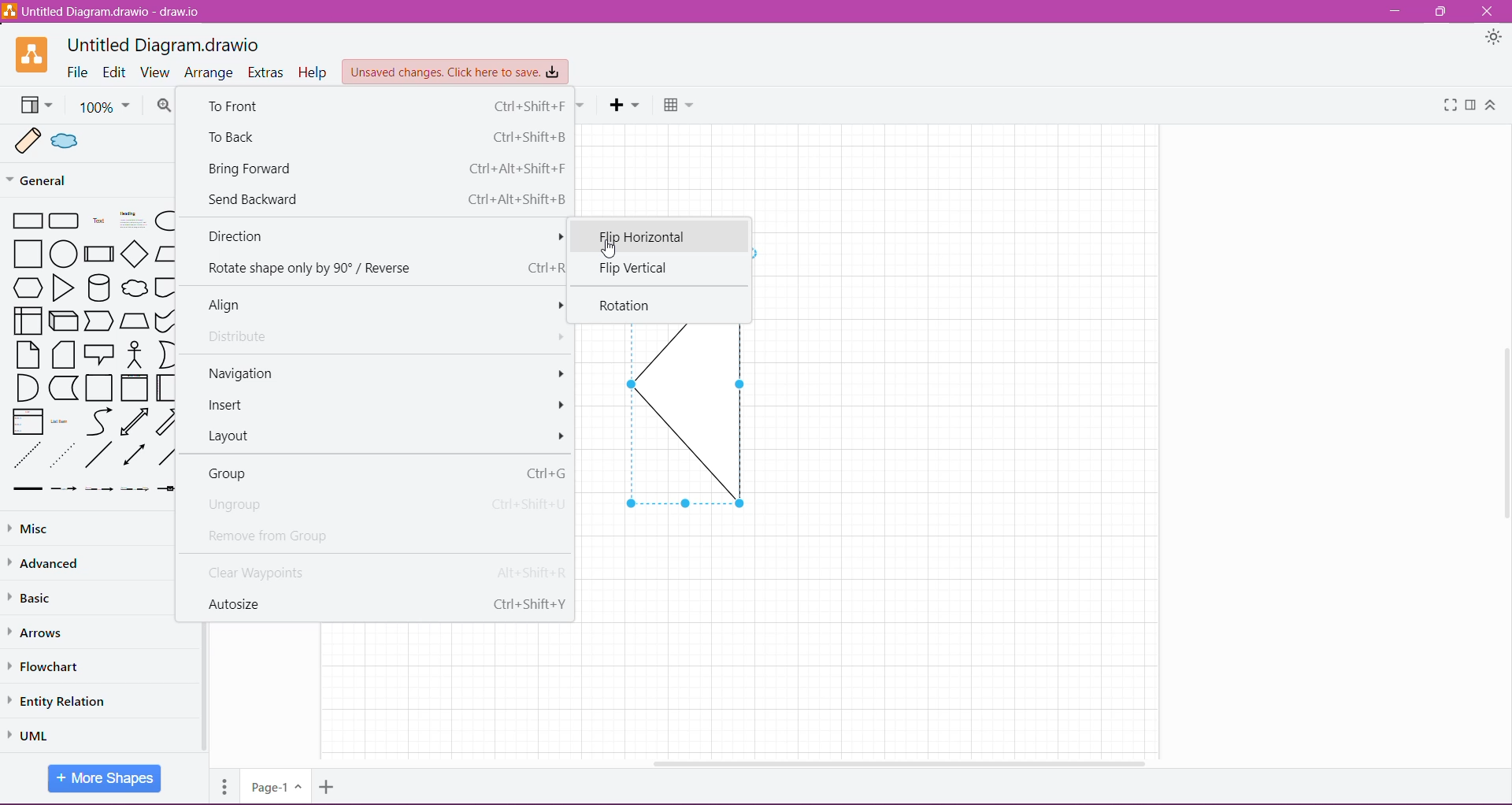 The height and width of the screenshot is (805, 1512). I want to click on Untitled Diagram.draw.io - draw.io, so click(104, 11).